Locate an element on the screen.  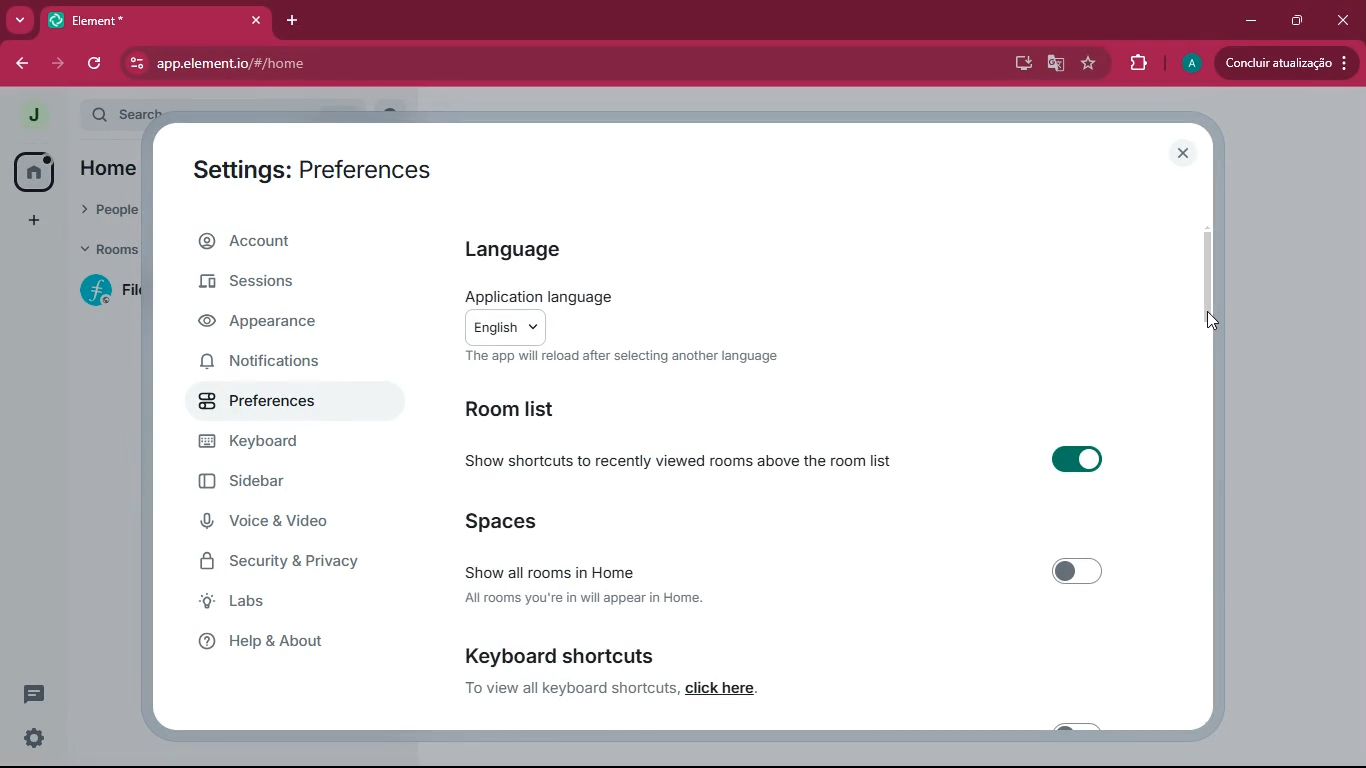
security is located at coordinates (297, 563).